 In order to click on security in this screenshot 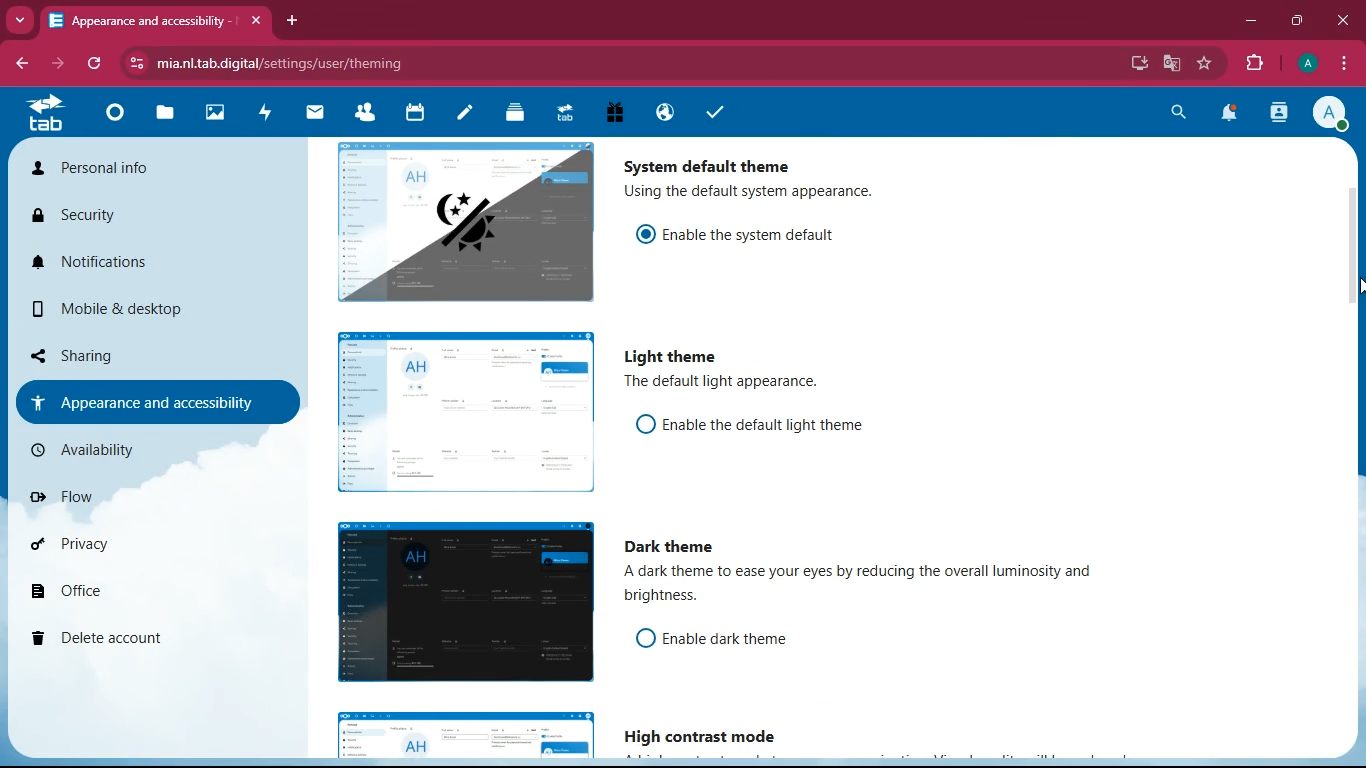, I will do `click(109, 219)`.